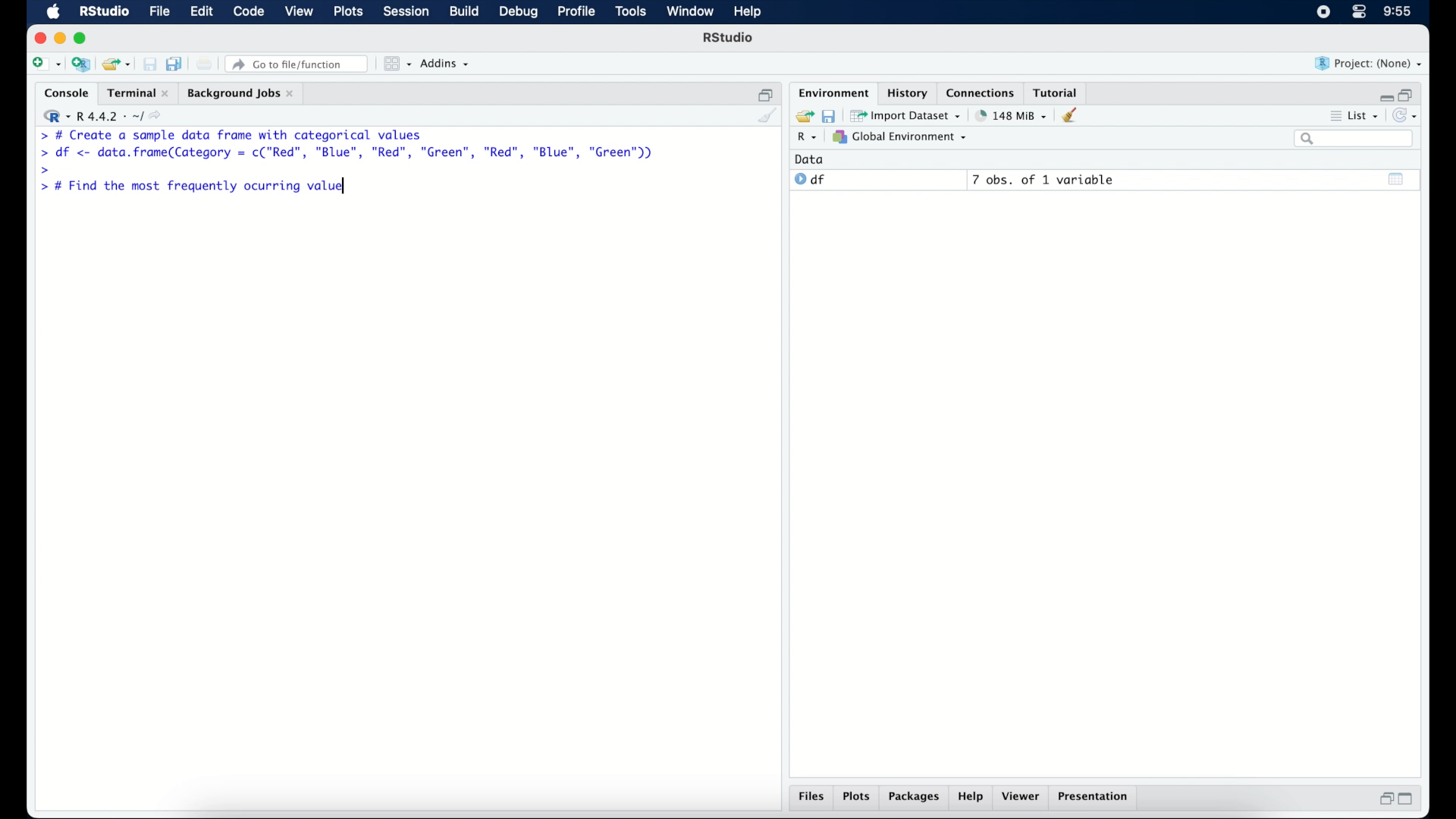 Image resolution: width=1456 pixels, height=819 pixels. I want to click on R Studio, so click(730, 38).